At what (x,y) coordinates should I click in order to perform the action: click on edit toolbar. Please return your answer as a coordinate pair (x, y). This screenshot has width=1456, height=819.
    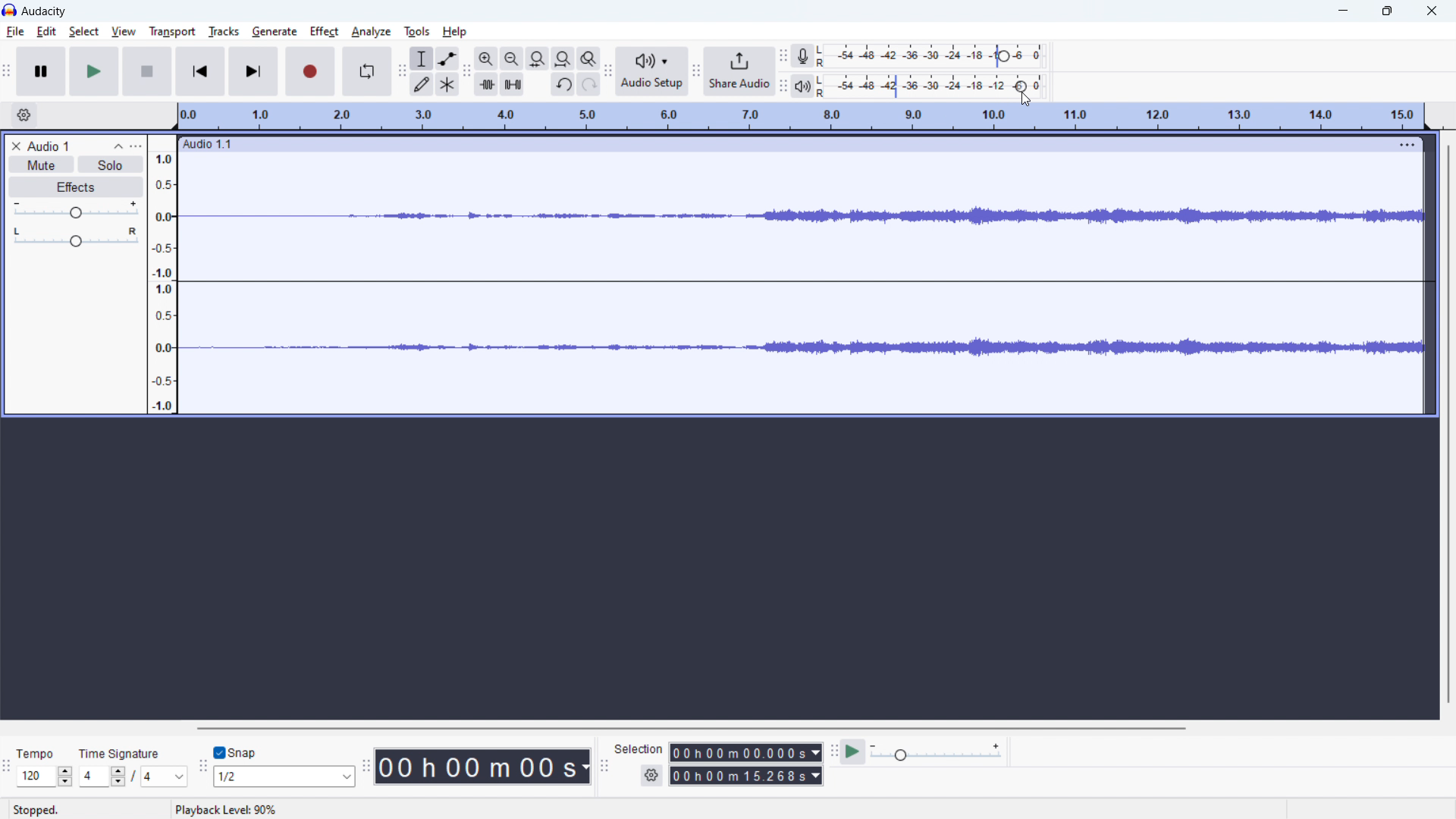
    Looking at the image, I should click on (466, 71).